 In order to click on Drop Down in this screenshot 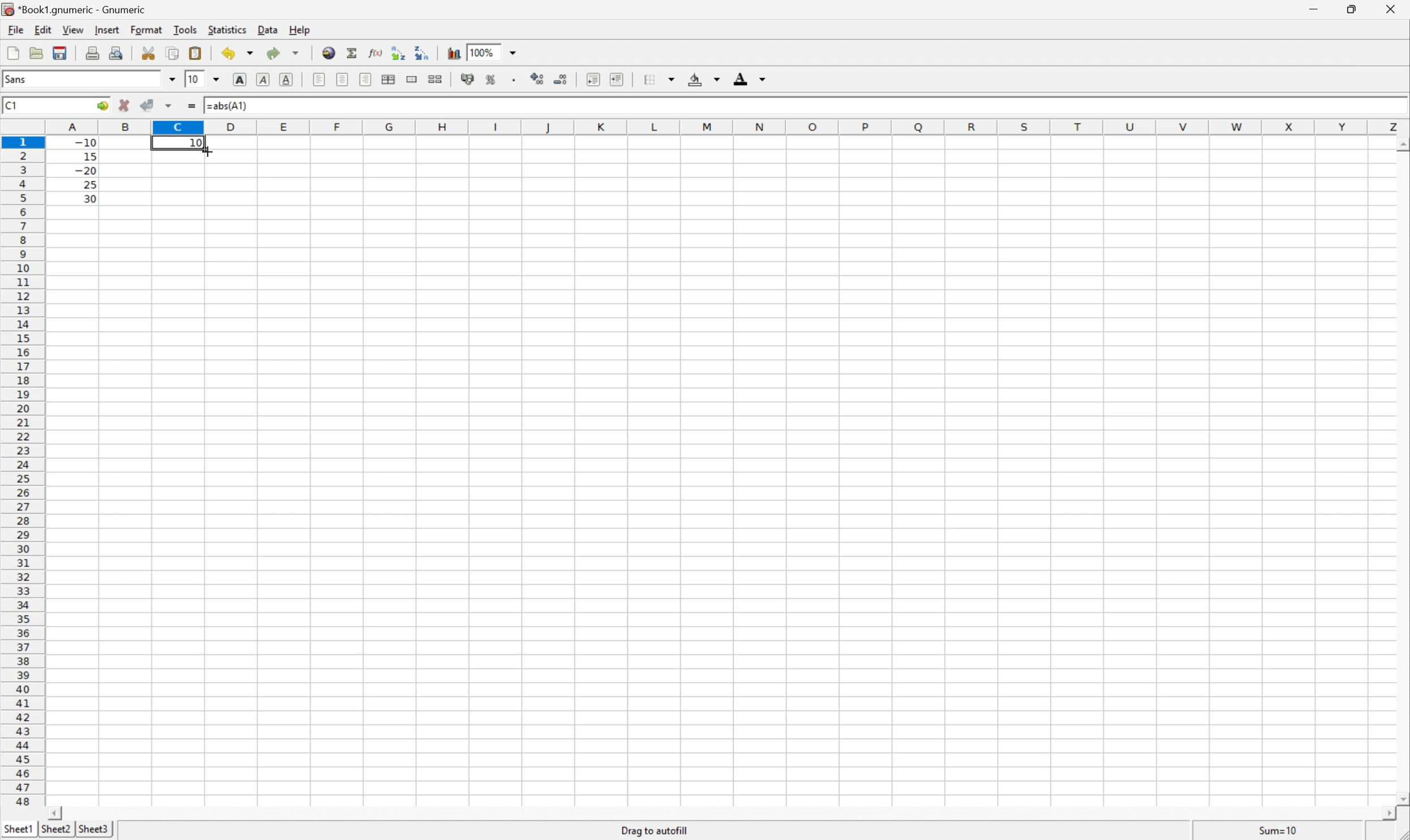, I will do `click(716, 80)`.